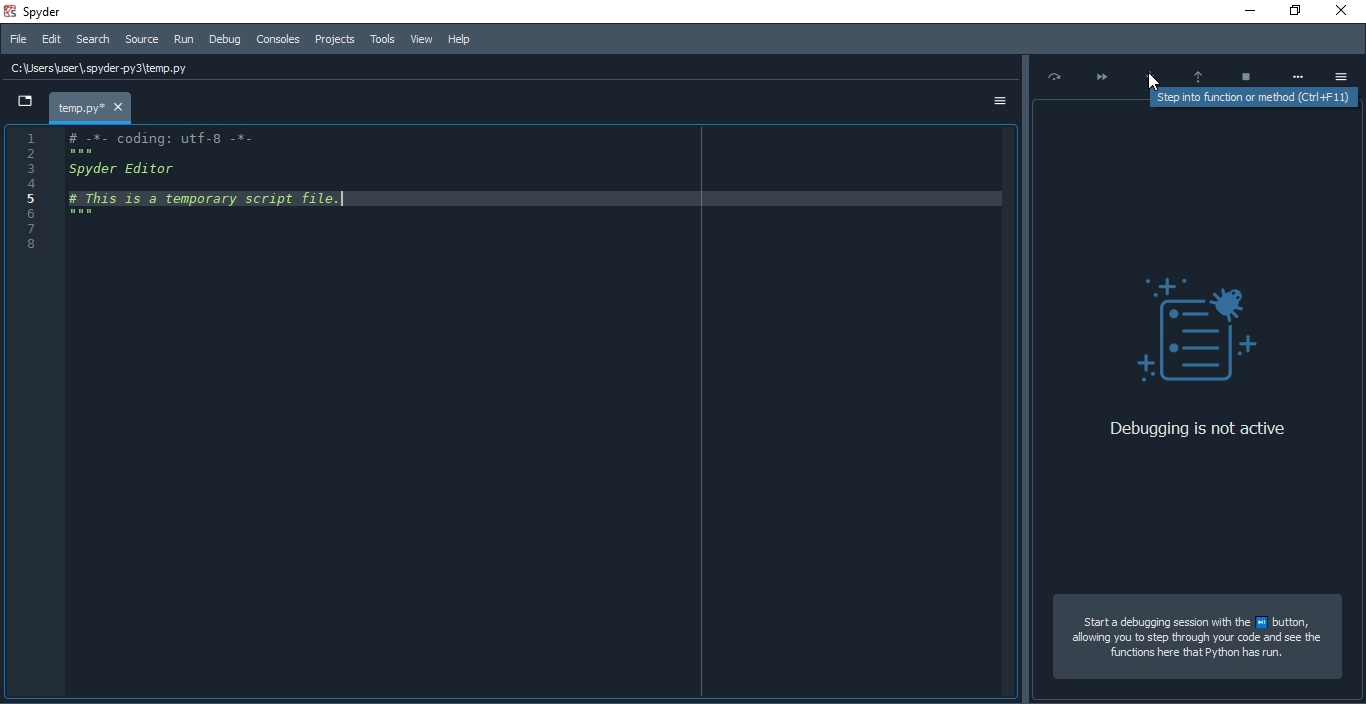  I want to click on View, so click(421, 38).